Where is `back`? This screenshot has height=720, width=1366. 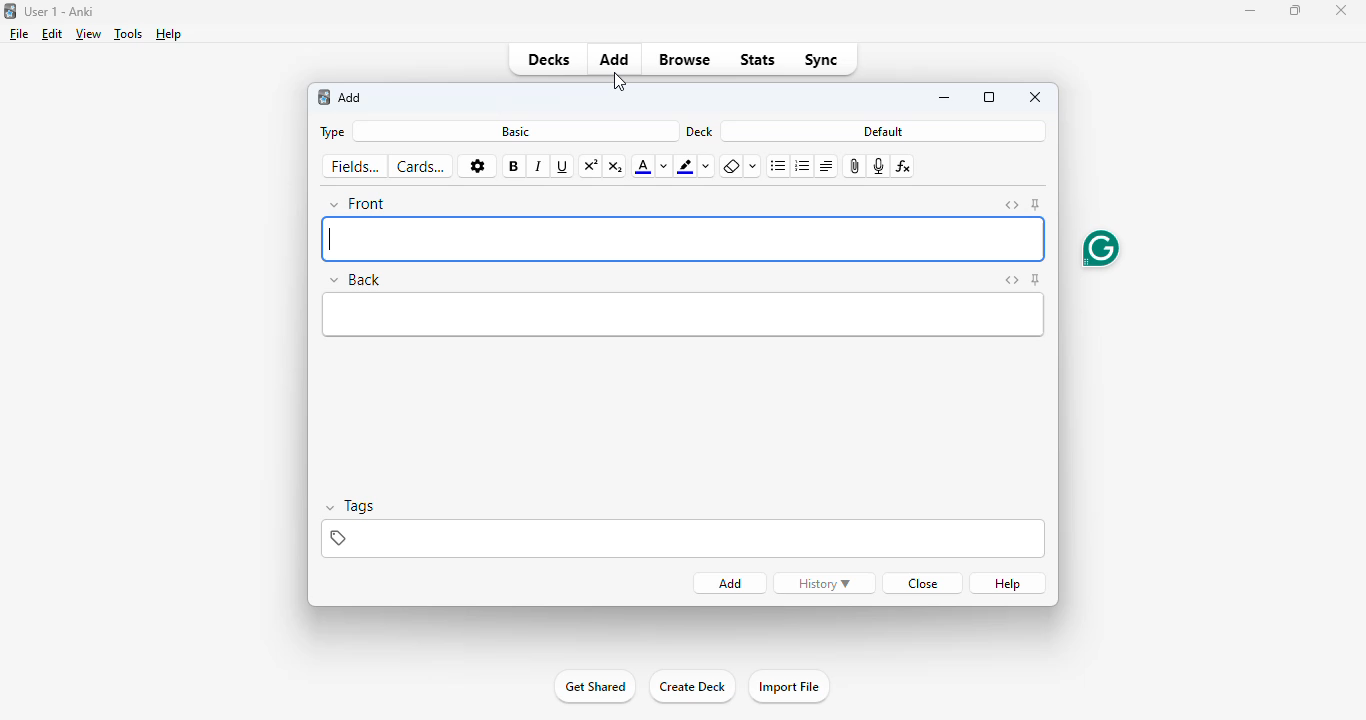 back is located at coordinates (357, 279).